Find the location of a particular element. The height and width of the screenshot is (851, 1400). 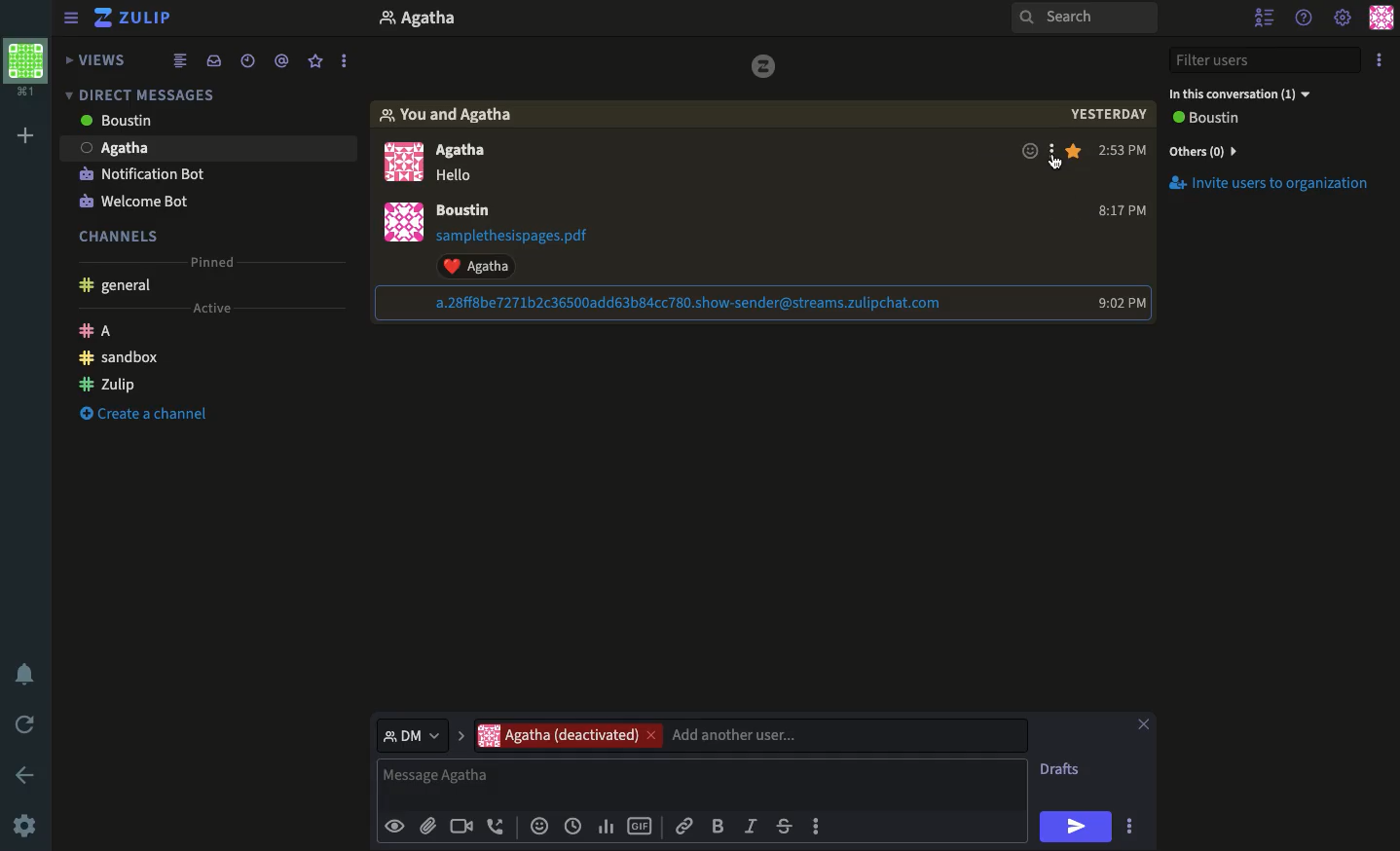

Help is located at coordinates (1303, 18).